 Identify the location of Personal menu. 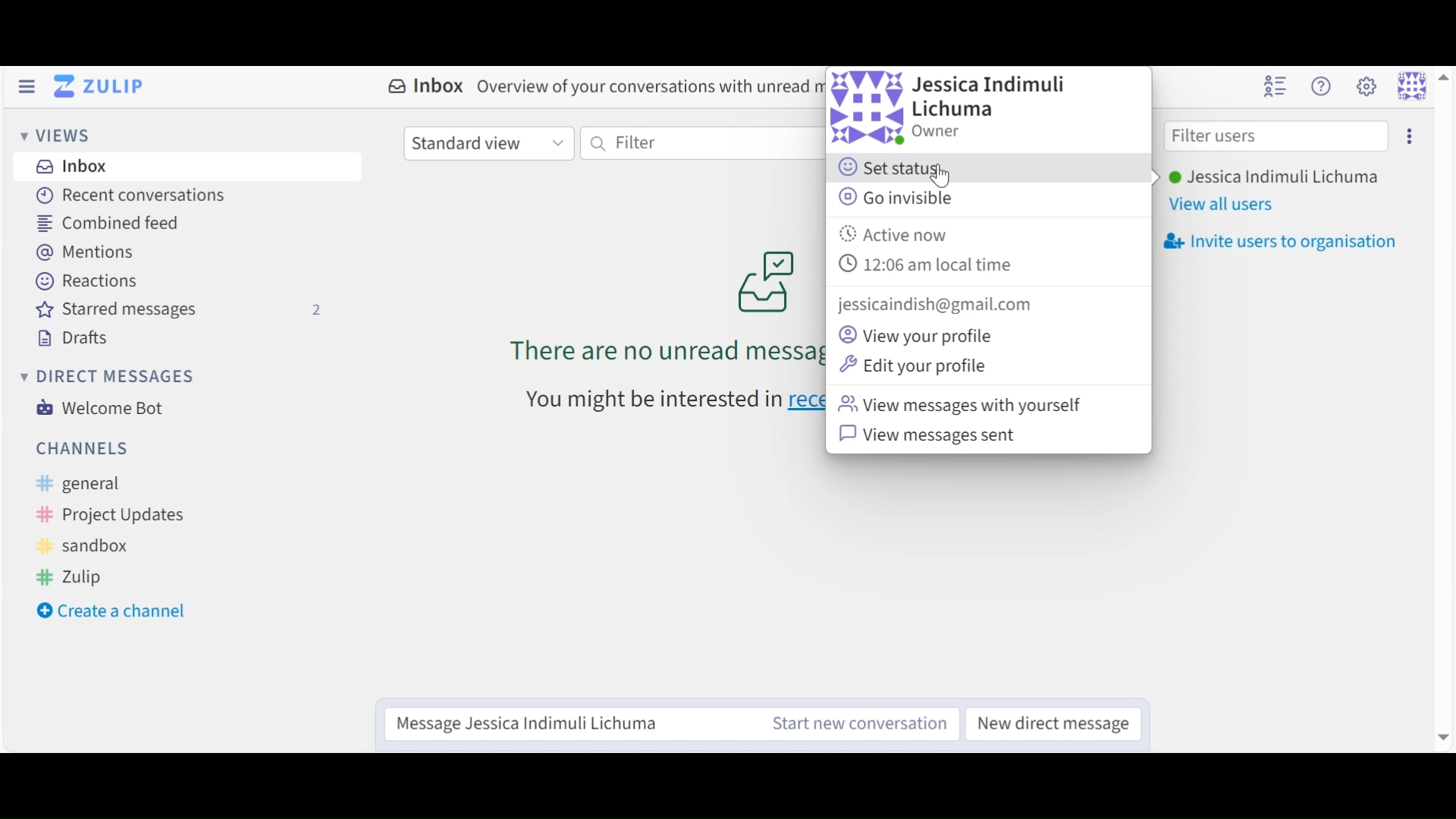
(1412, 86).